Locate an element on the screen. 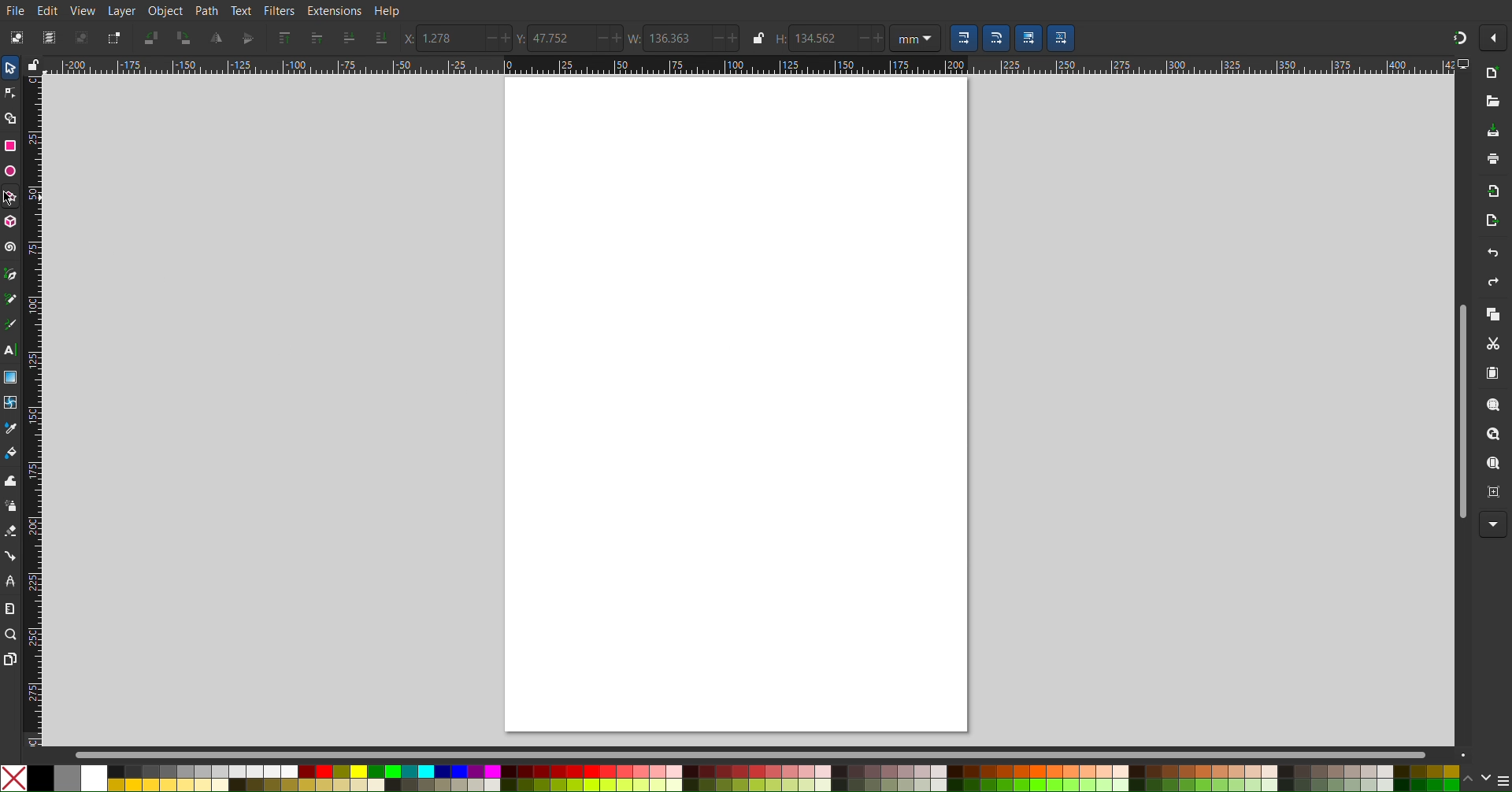 The height and width of the screenshot is (792, 1512). Text is located at coordinates (240, 9).